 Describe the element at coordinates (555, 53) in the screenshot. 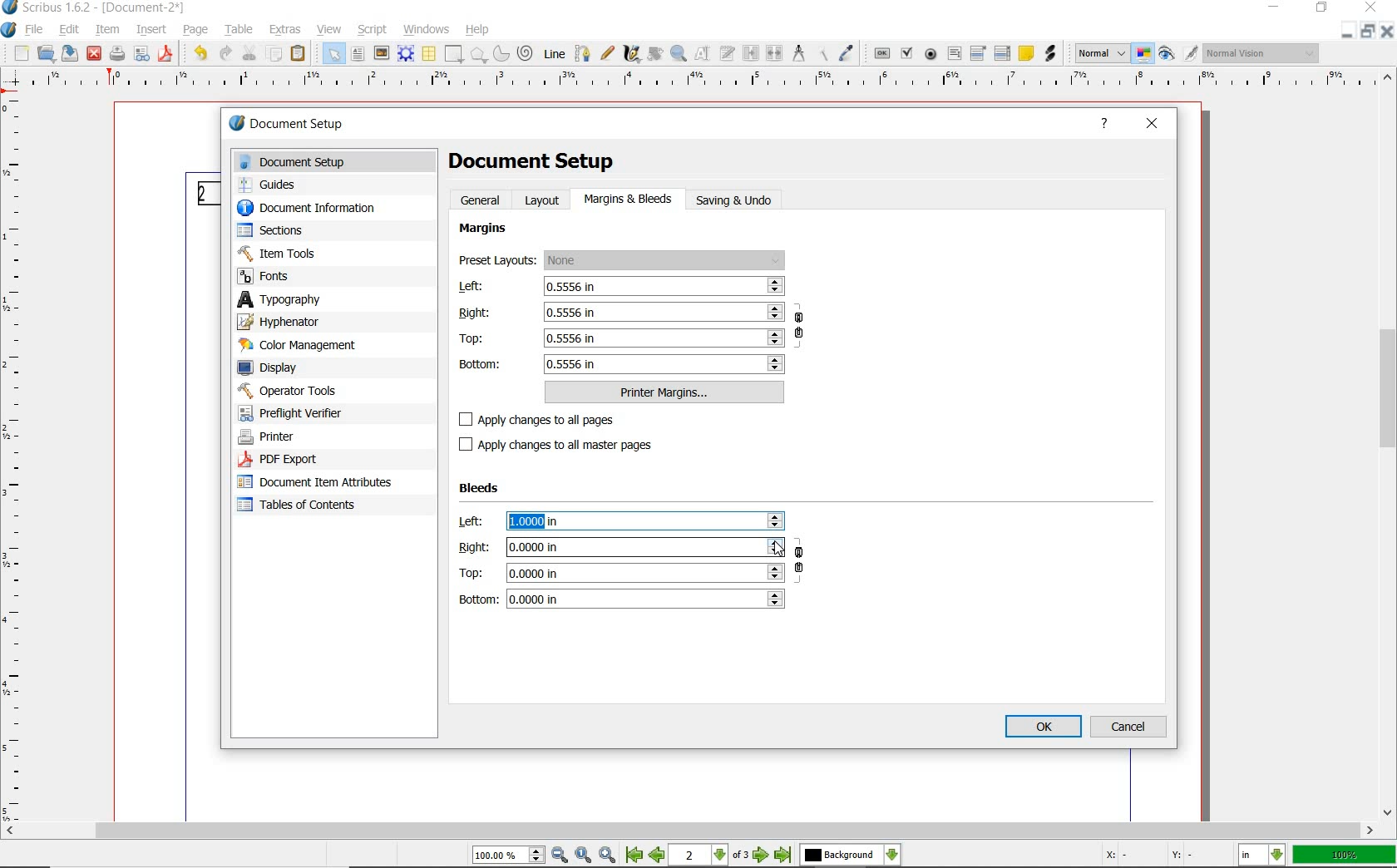

I see `line` at that location.